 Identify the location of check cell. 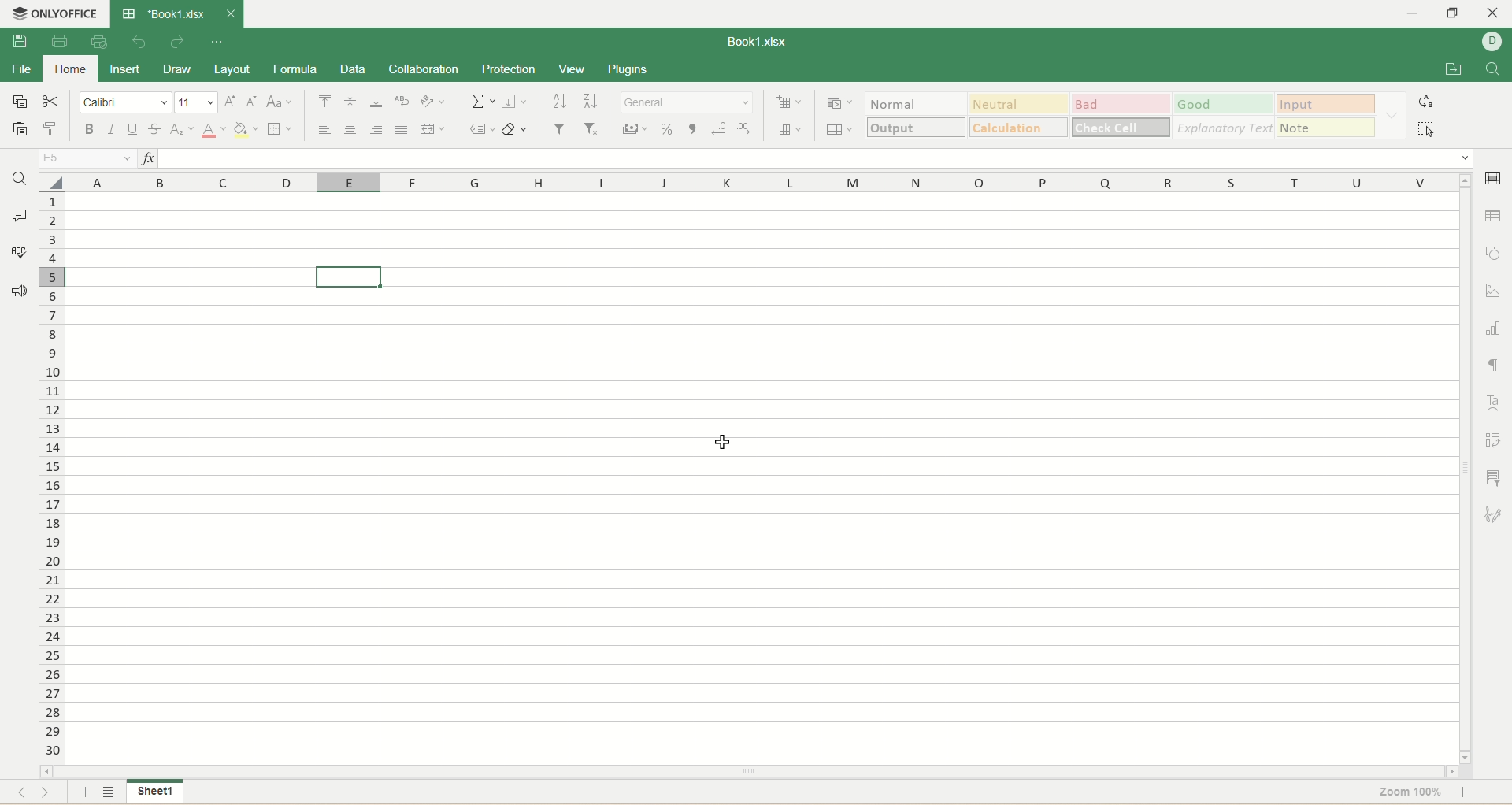
(1121, 127).